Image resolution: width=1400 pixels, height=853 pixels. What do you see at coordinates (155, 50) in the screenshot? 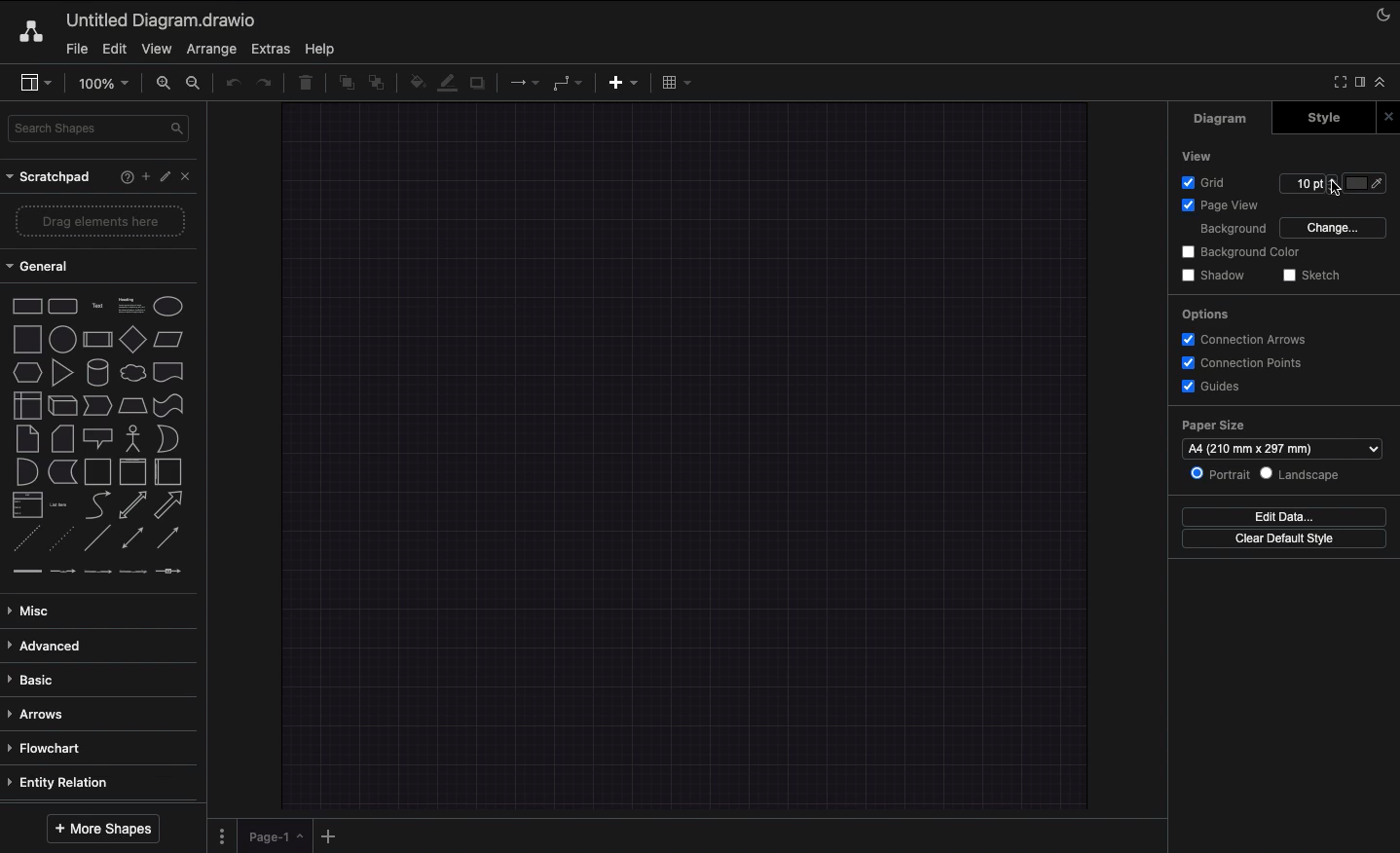
I see `View` at bounding box center [155, 50].